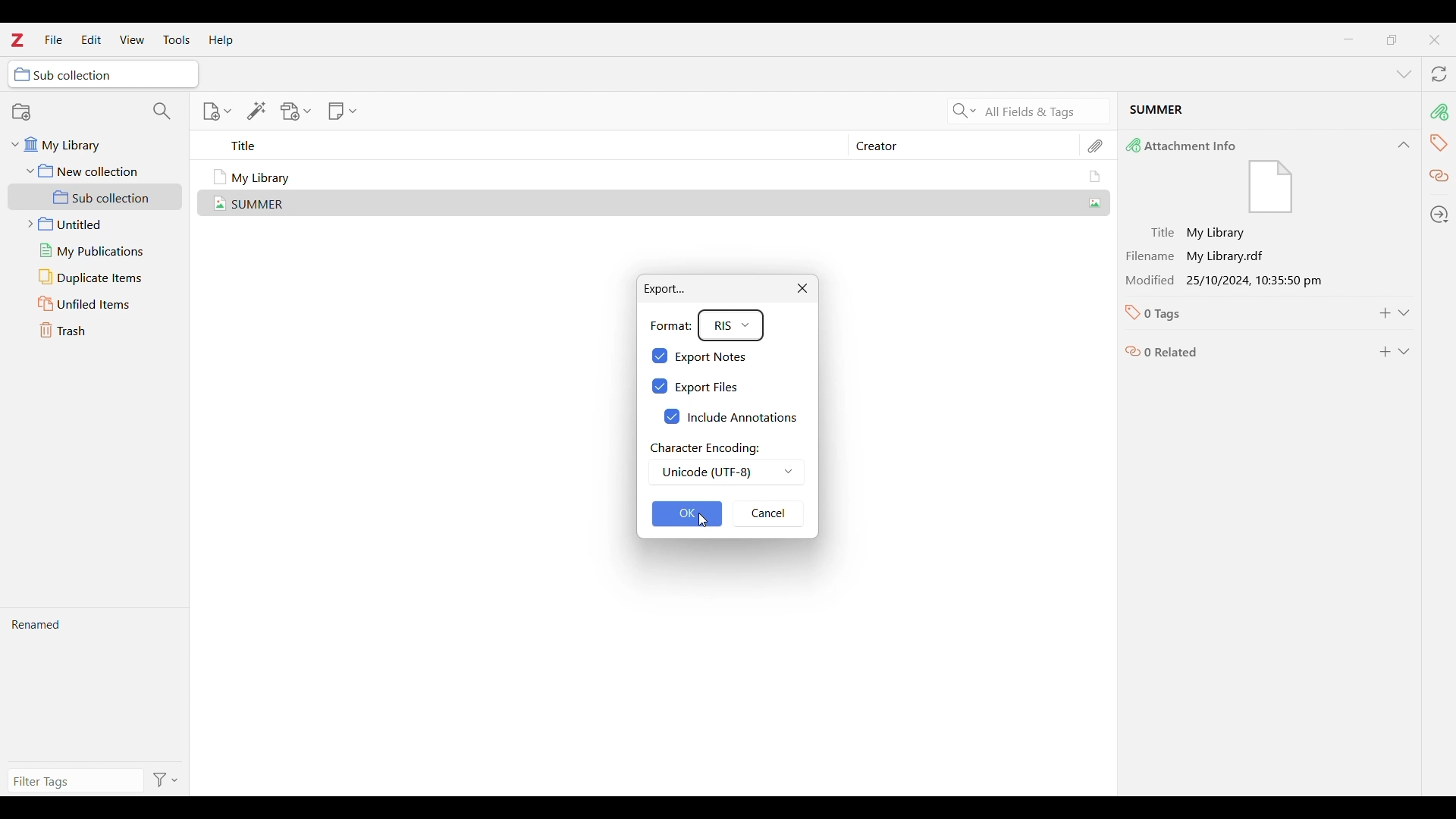 This screenshot has width=1456, height=819. Describe the element at coordinates (729, 325) in the screenshot. I see `RIS format ` at that location.